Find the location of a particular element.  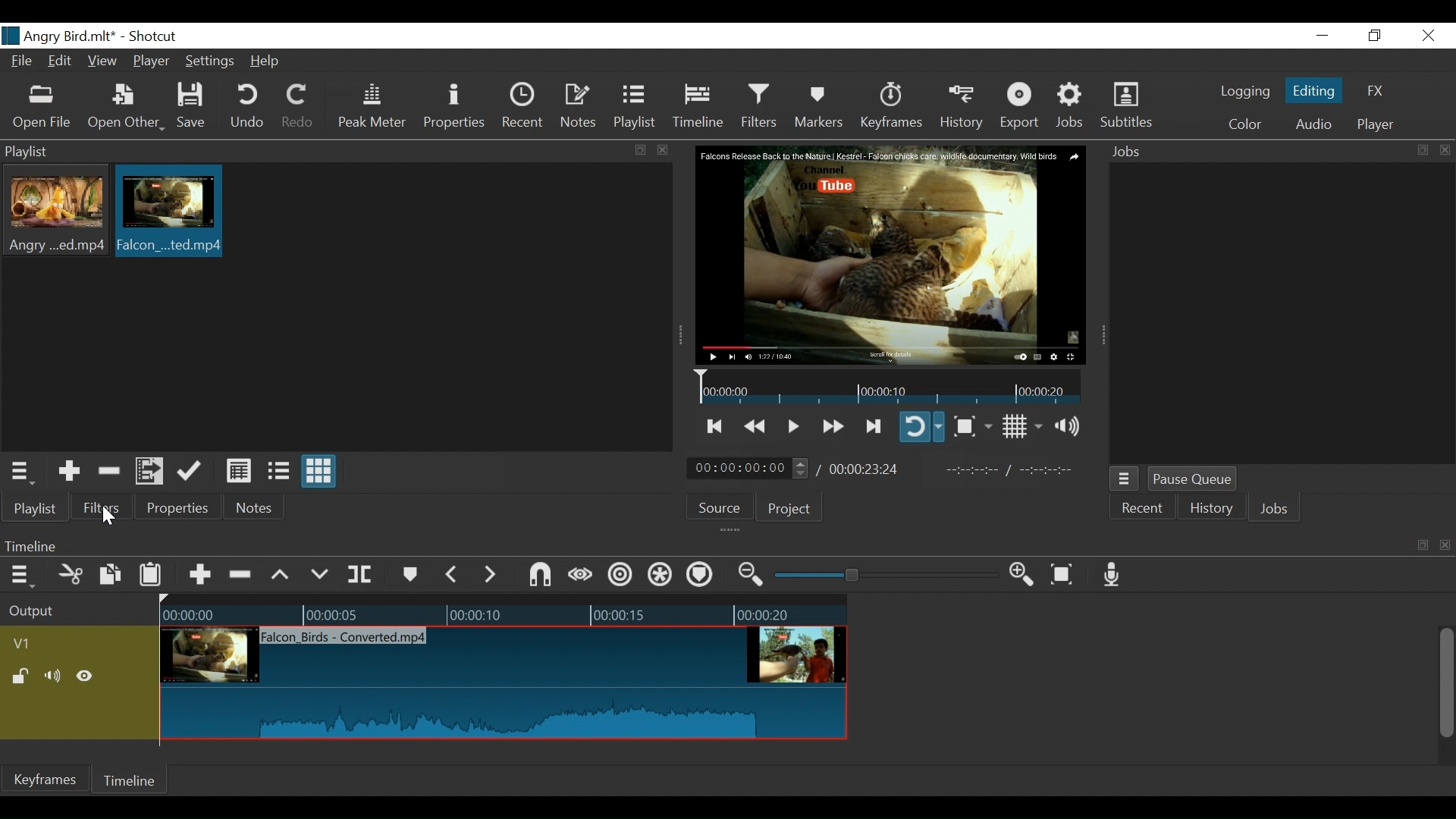

Toggle player looping is located at coordinates (921, 426).